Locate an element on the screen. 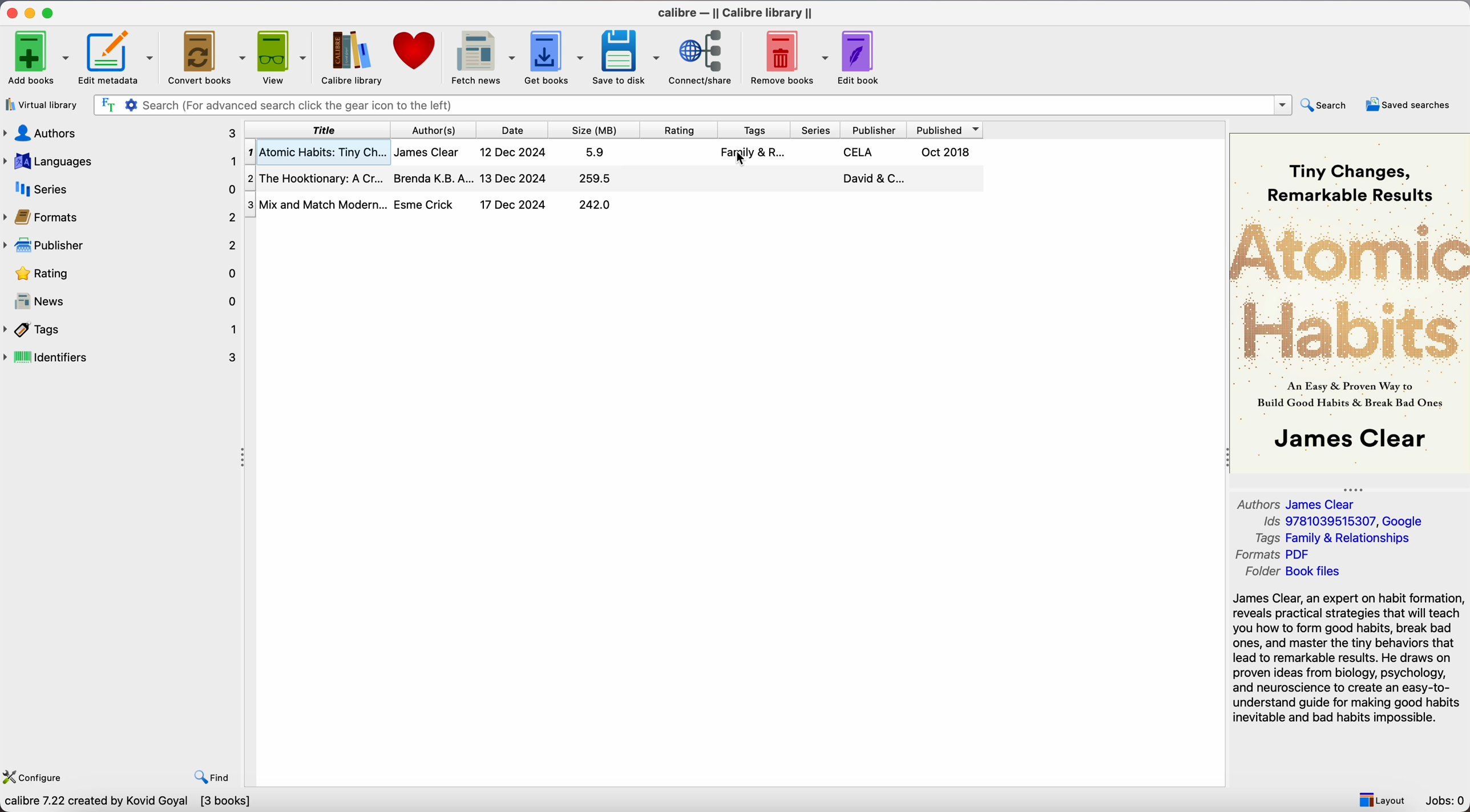 The image size is (1470, 812). rating is located at coordinates (680, 130).